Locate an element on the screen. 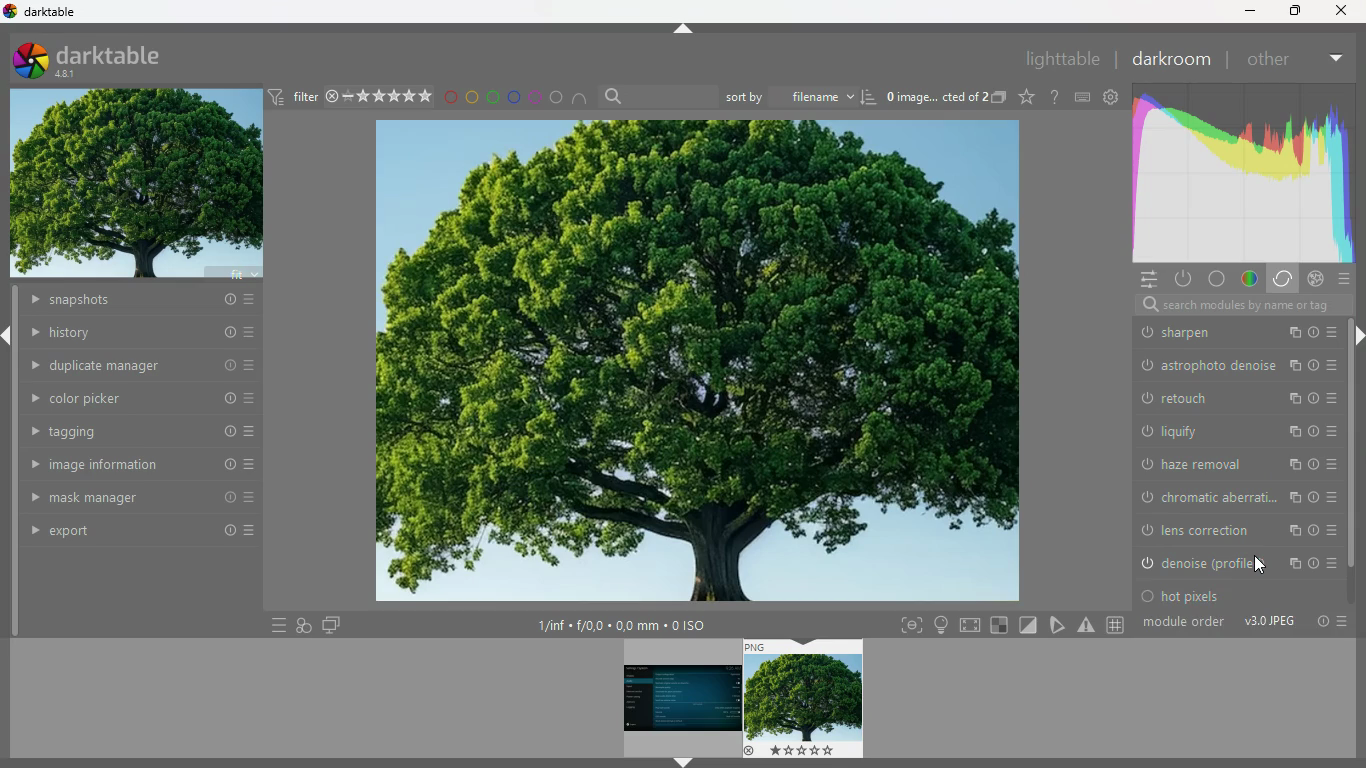 This screenshot has width=1366, height=768. dartable is located at coordinates (42, 12).